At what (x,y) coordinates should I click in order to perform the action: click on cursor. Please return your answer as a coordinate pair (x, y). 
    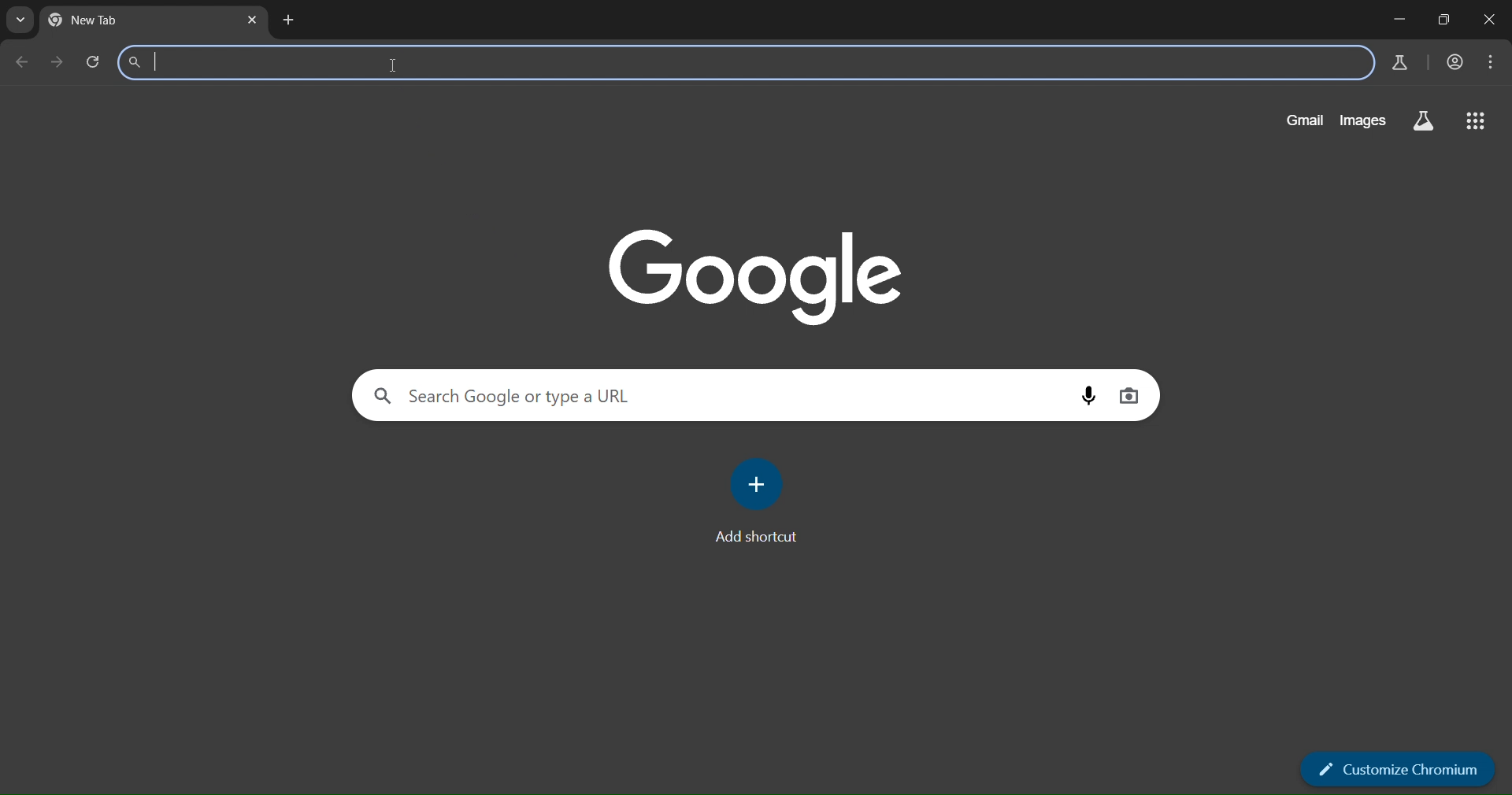
    Looking at the image, I should click on (395, 66).